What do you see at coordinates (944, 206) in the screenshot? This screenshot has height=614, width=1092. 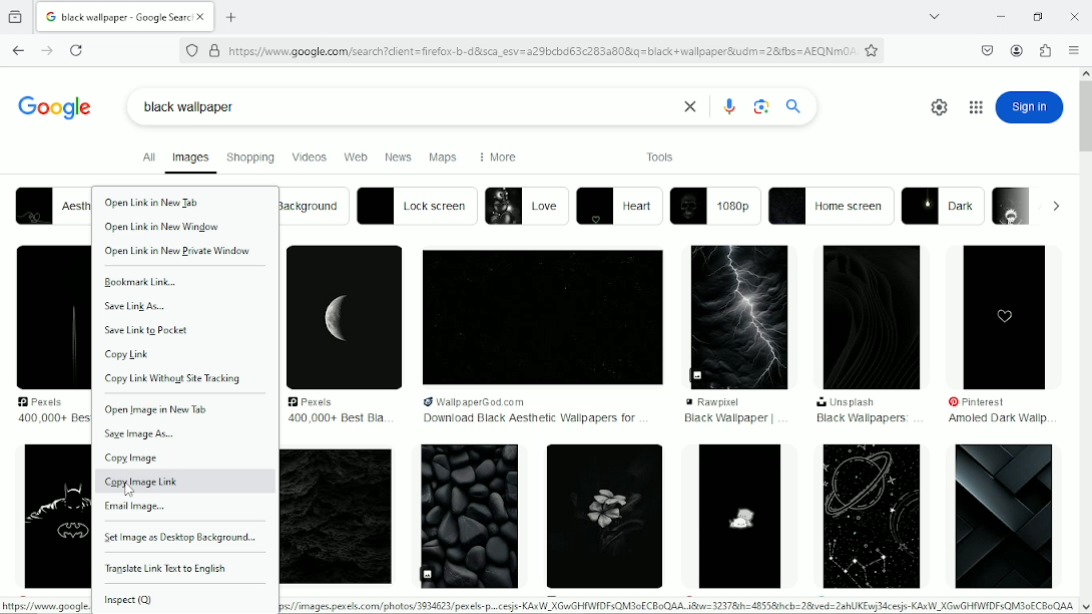 I see `dark` at bounding box center [944, 206].